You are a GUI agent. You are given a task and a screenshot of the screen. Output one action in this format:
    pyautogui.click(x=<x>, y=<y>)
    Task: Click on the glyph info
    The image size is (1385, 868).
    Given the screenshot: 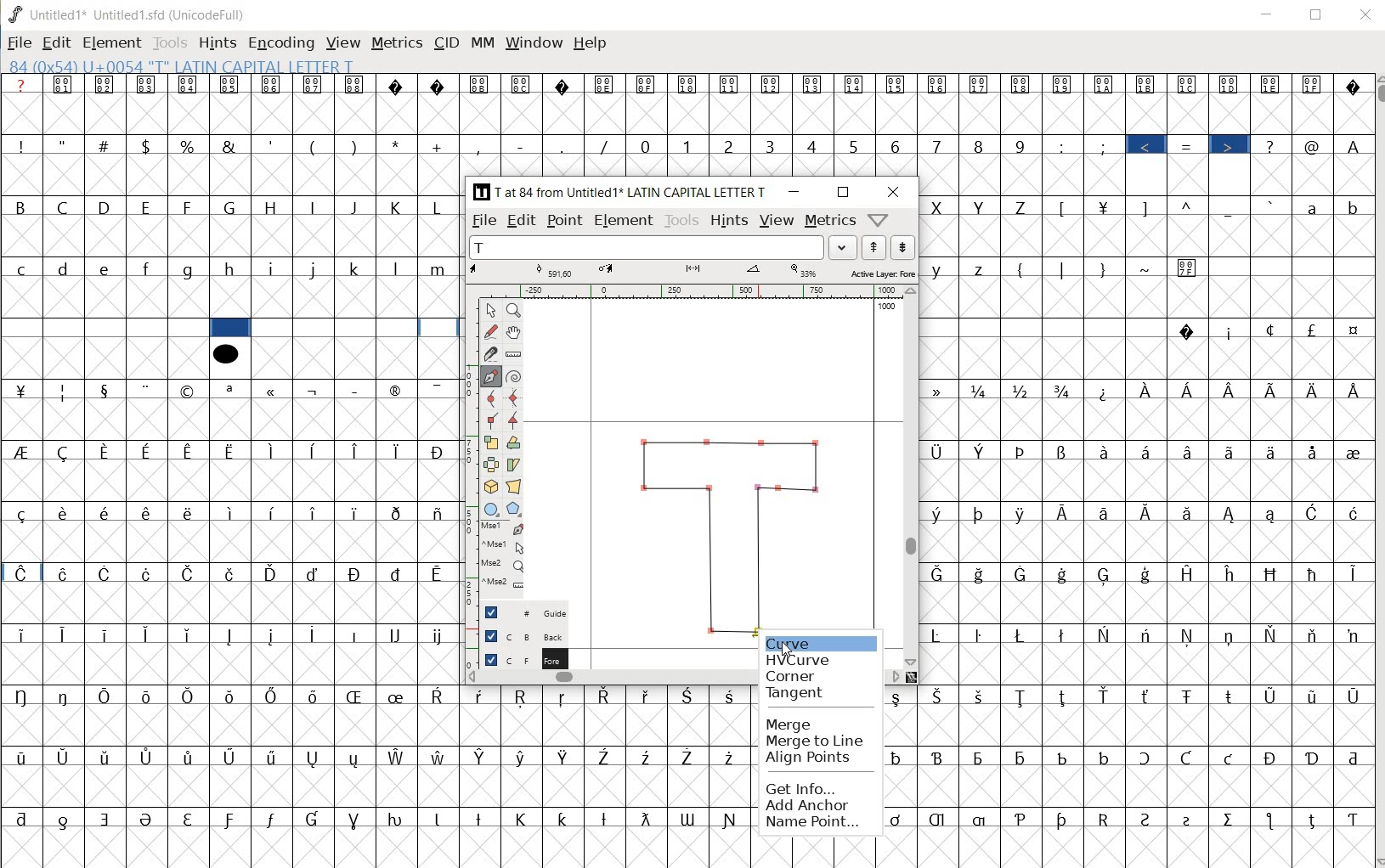 What is the action you would take?
    pyautogui.click(x=180, y=65)
    